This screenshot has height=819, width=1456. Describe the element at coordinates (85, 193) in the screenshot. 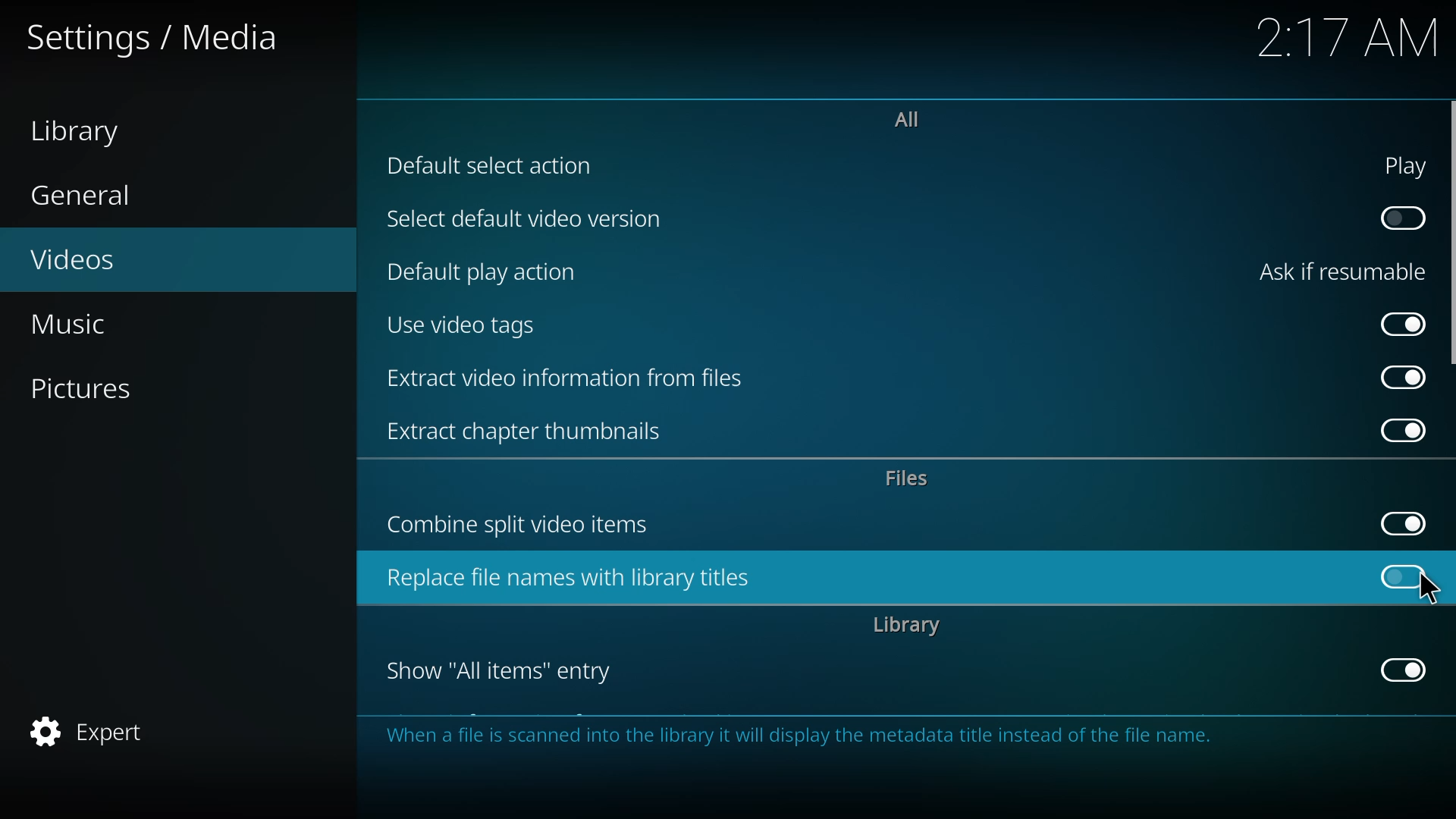

I see `general` at that location.